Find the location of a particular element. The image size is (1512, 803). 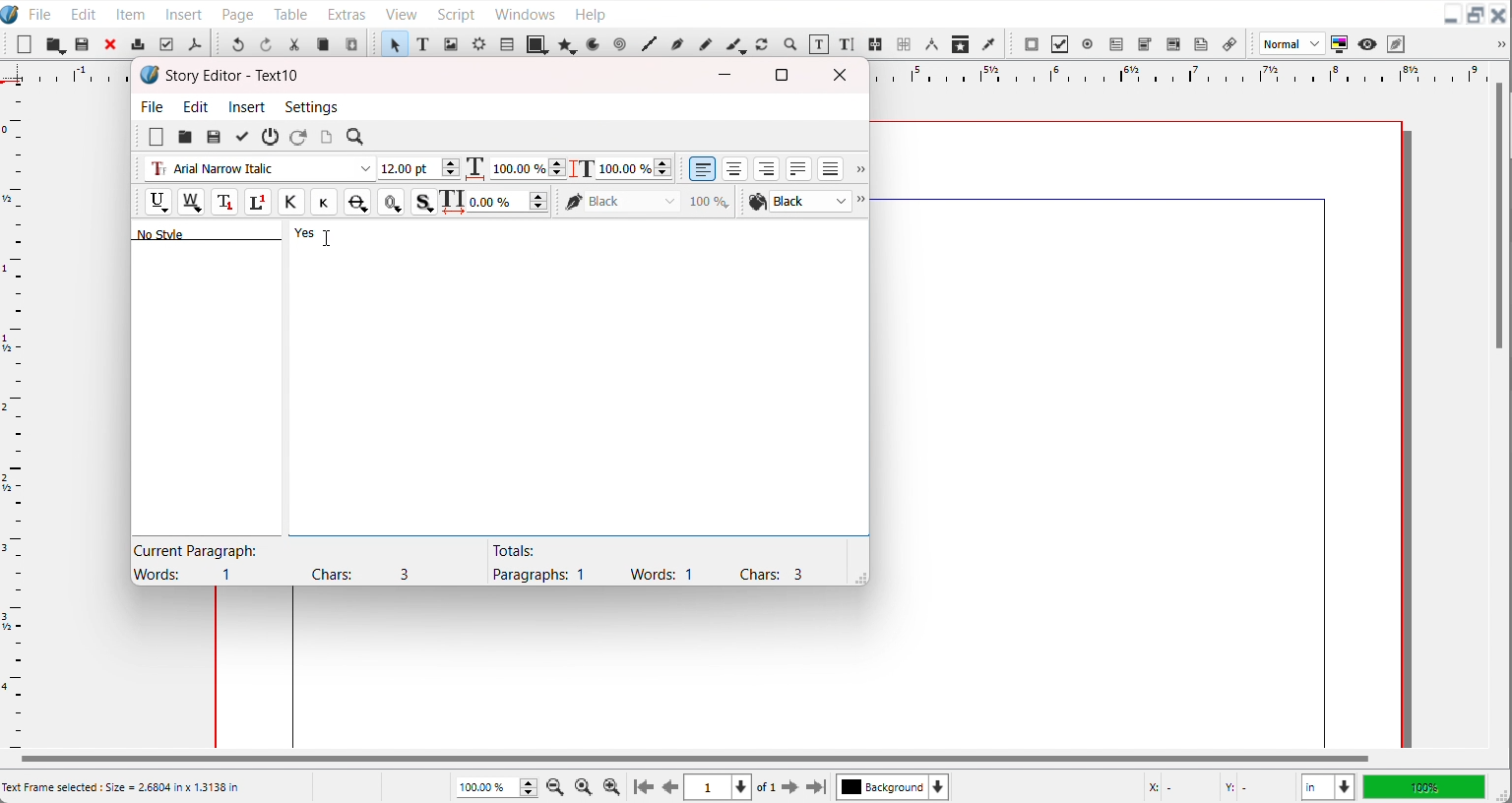

Select current layer is located at coordinates (893, 786).